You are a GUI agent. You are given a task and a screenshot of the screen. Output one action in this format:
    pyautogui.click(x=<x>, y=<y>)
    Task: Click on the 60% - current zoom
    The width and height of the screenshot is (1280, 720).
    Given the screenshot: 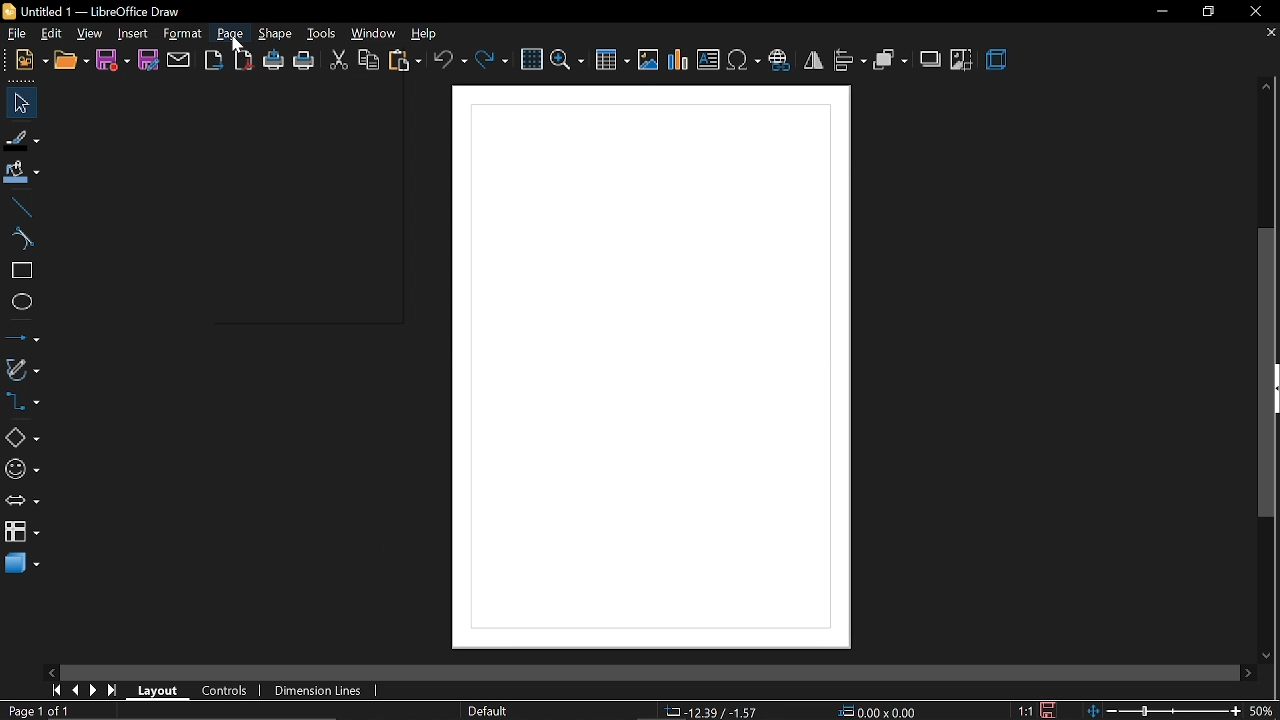 What is the action you would take?
    pyautogui.click(x=1265, y=708)
    